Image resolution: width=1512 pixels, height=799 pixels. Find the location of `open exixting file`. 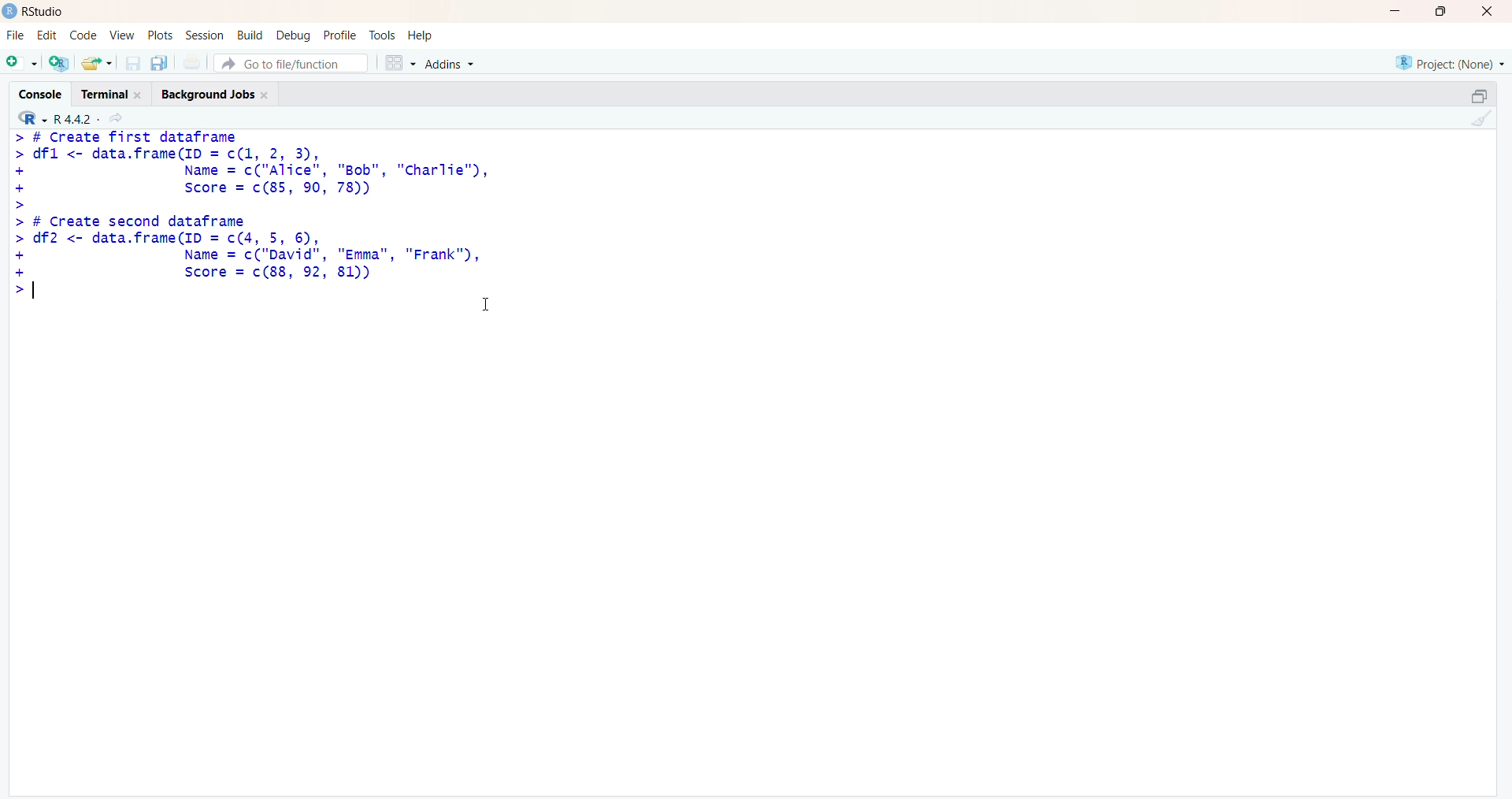

open exixting file is located at coordinates (98, 63).